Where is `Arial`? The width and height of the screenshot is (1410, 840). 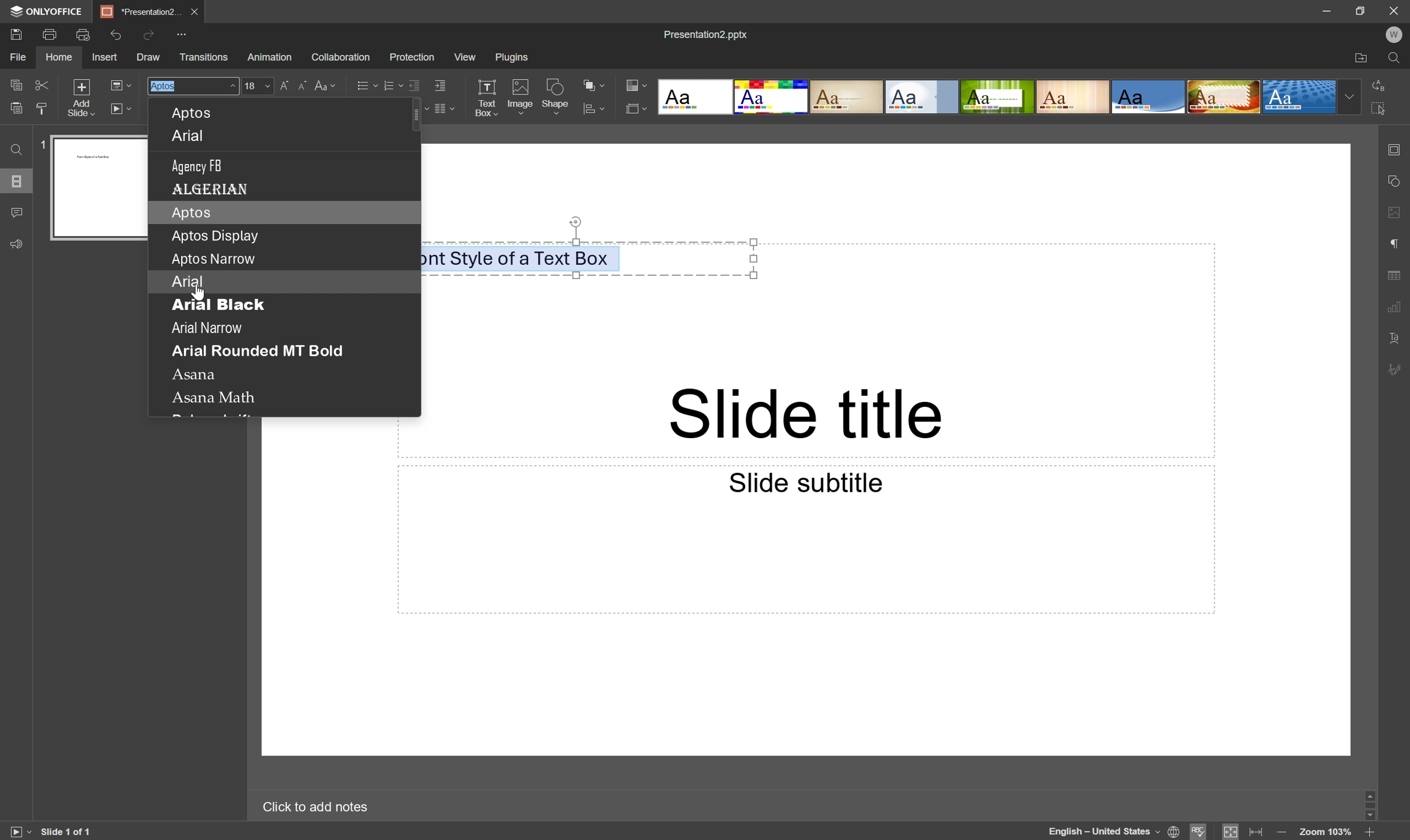
Arial is located at coordinates (186, 281).